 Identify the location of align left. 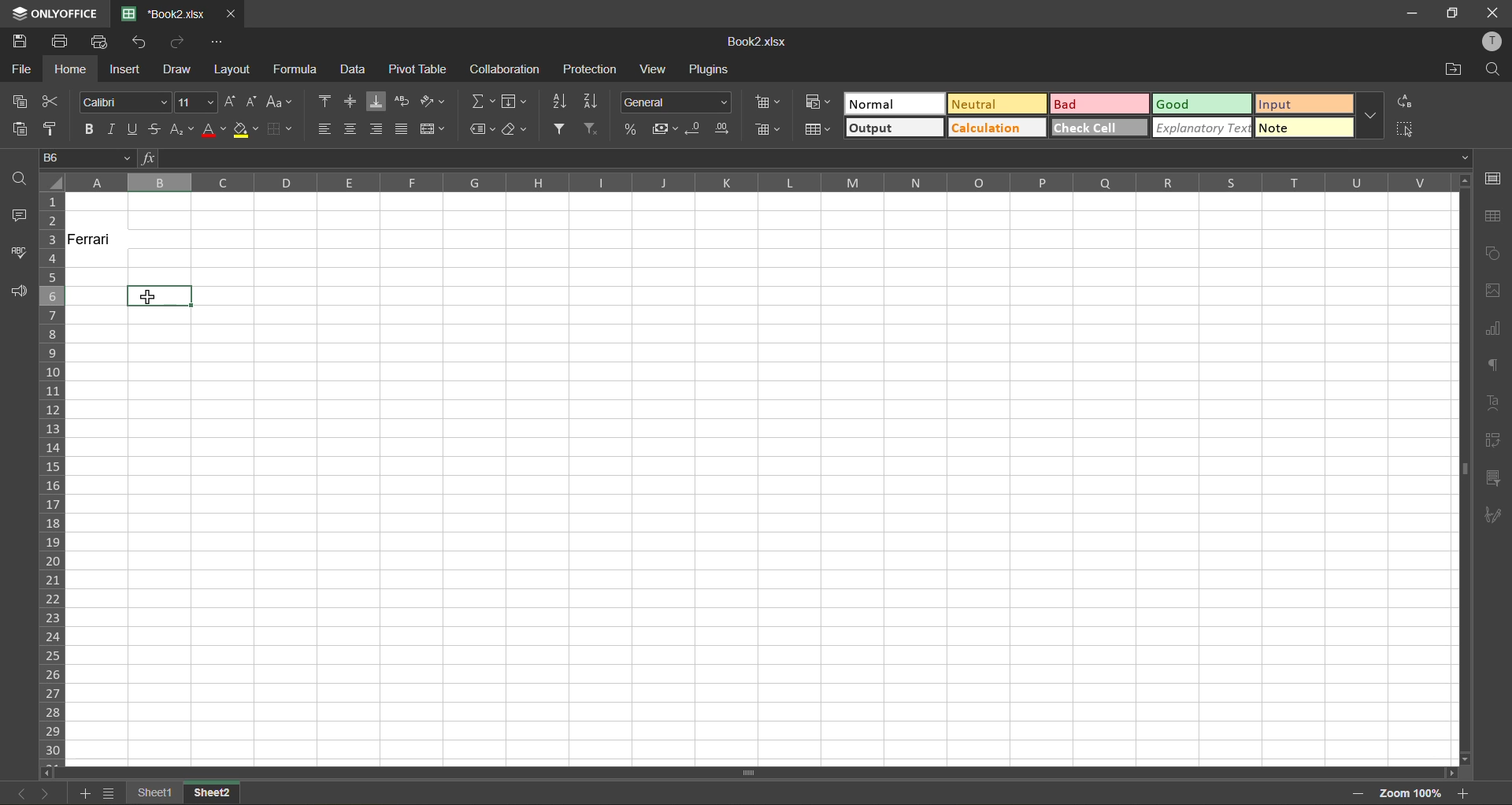
(325, 128).